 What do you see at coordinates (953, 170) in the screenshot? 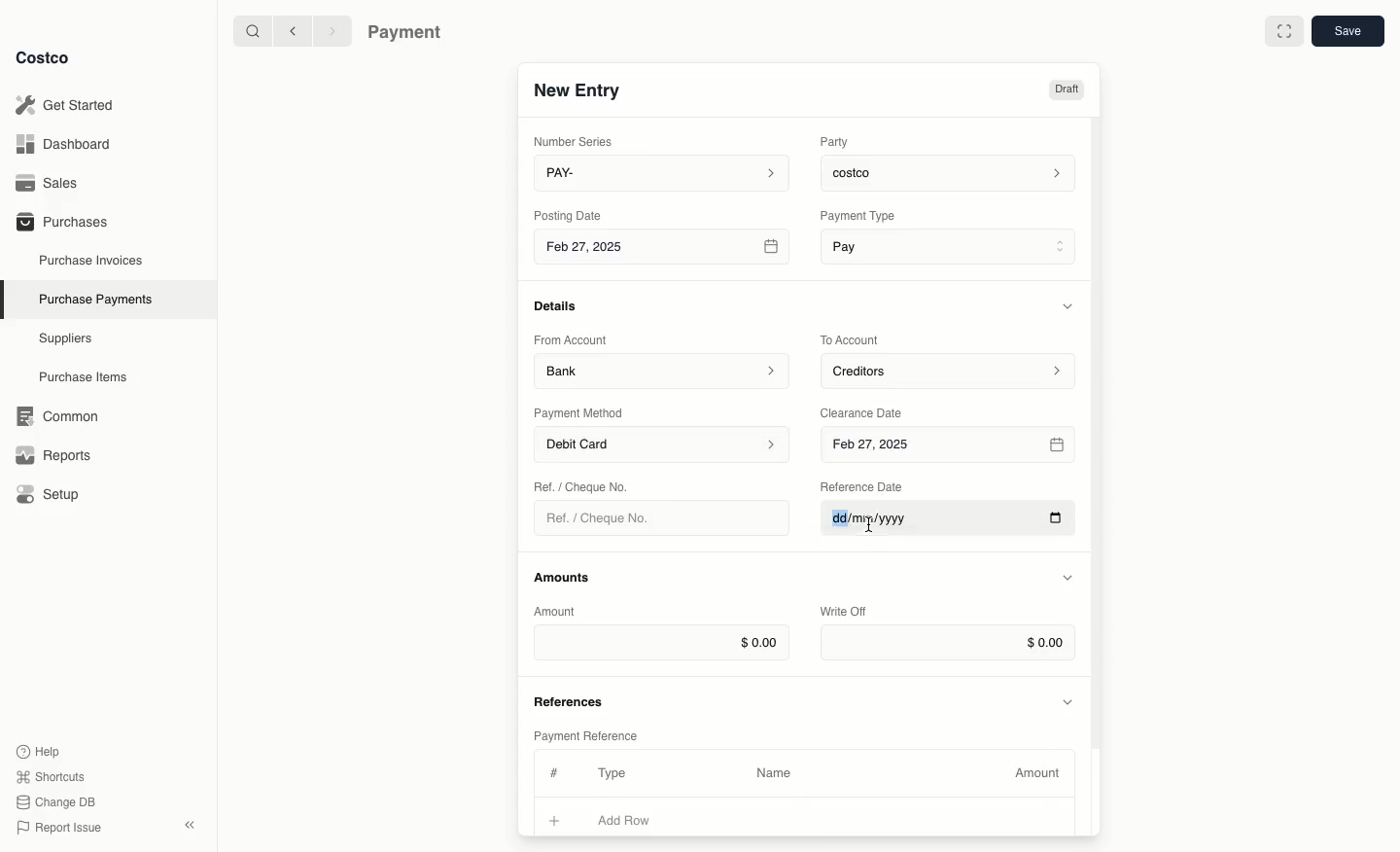
I see `costco` at bounding box center [953, 170].